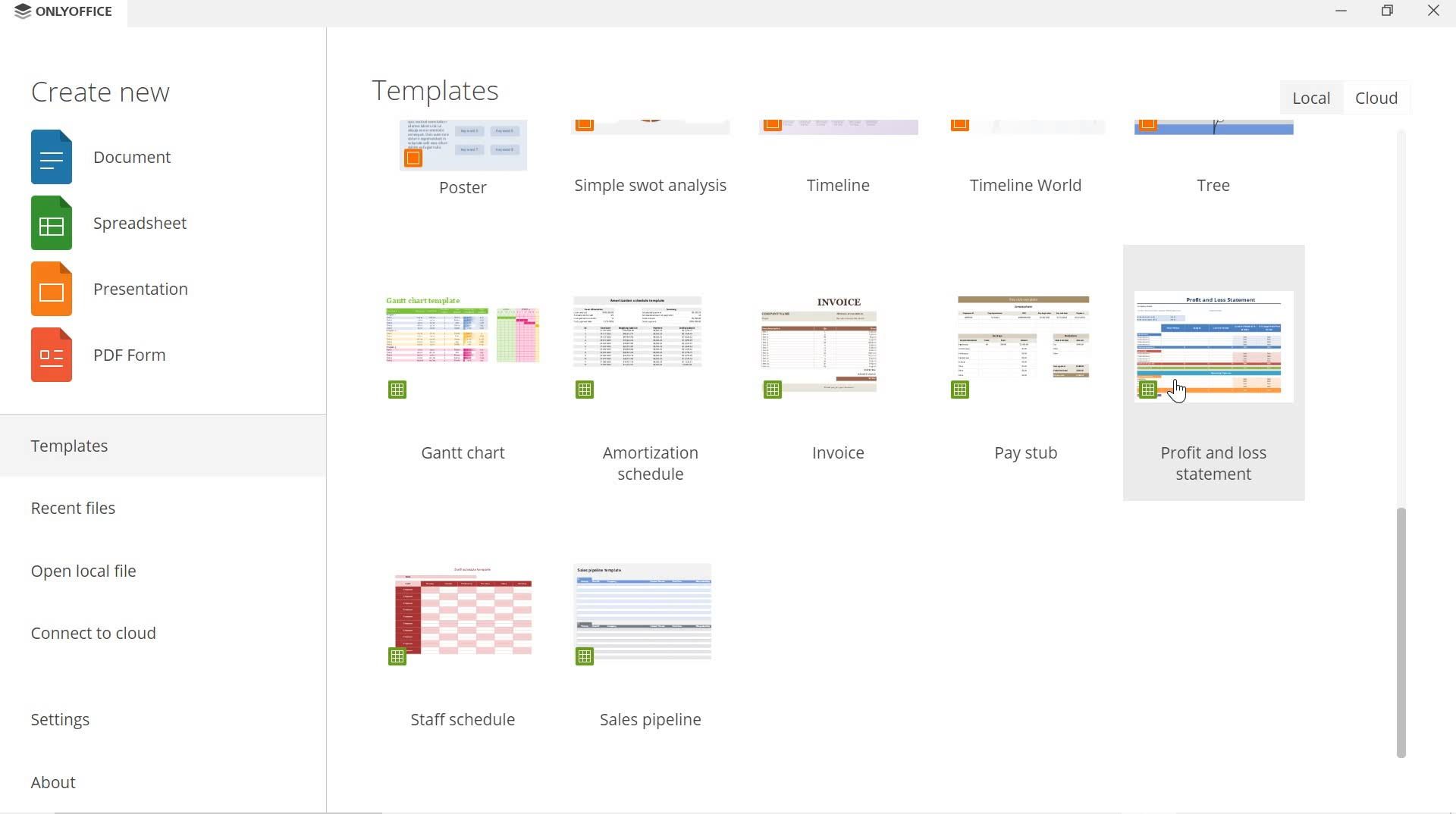 The image size is (1456, 814). What do you see at coordinates (846, 186) in the screenshot?
I see `Timeline` at bounding box center [846, 186].